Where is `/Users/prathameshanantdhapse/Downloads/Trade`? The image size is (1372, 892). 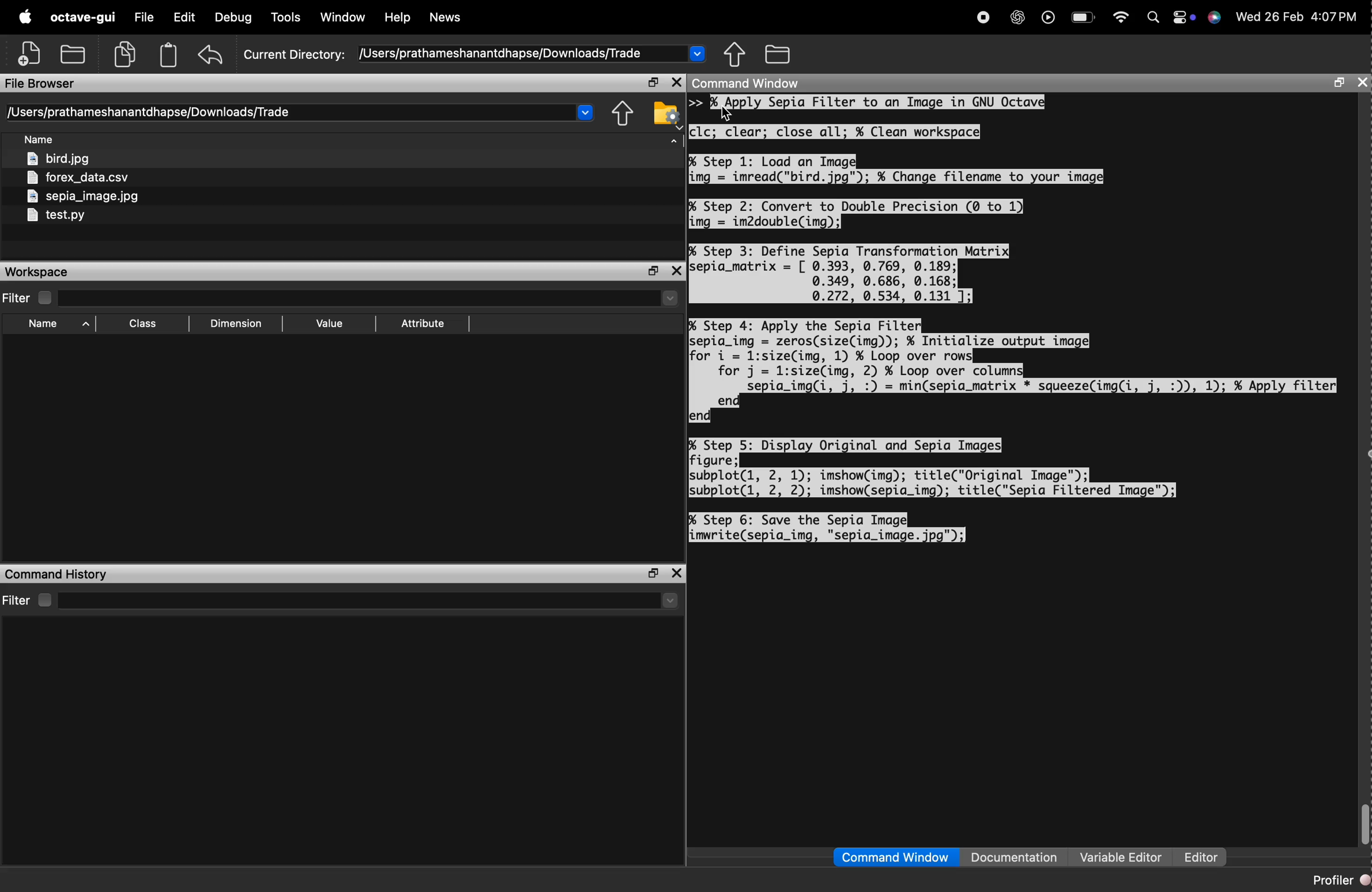
/Users/prathameshanantdhapse/Downloads/Trade is located at coordinates (502, 54).